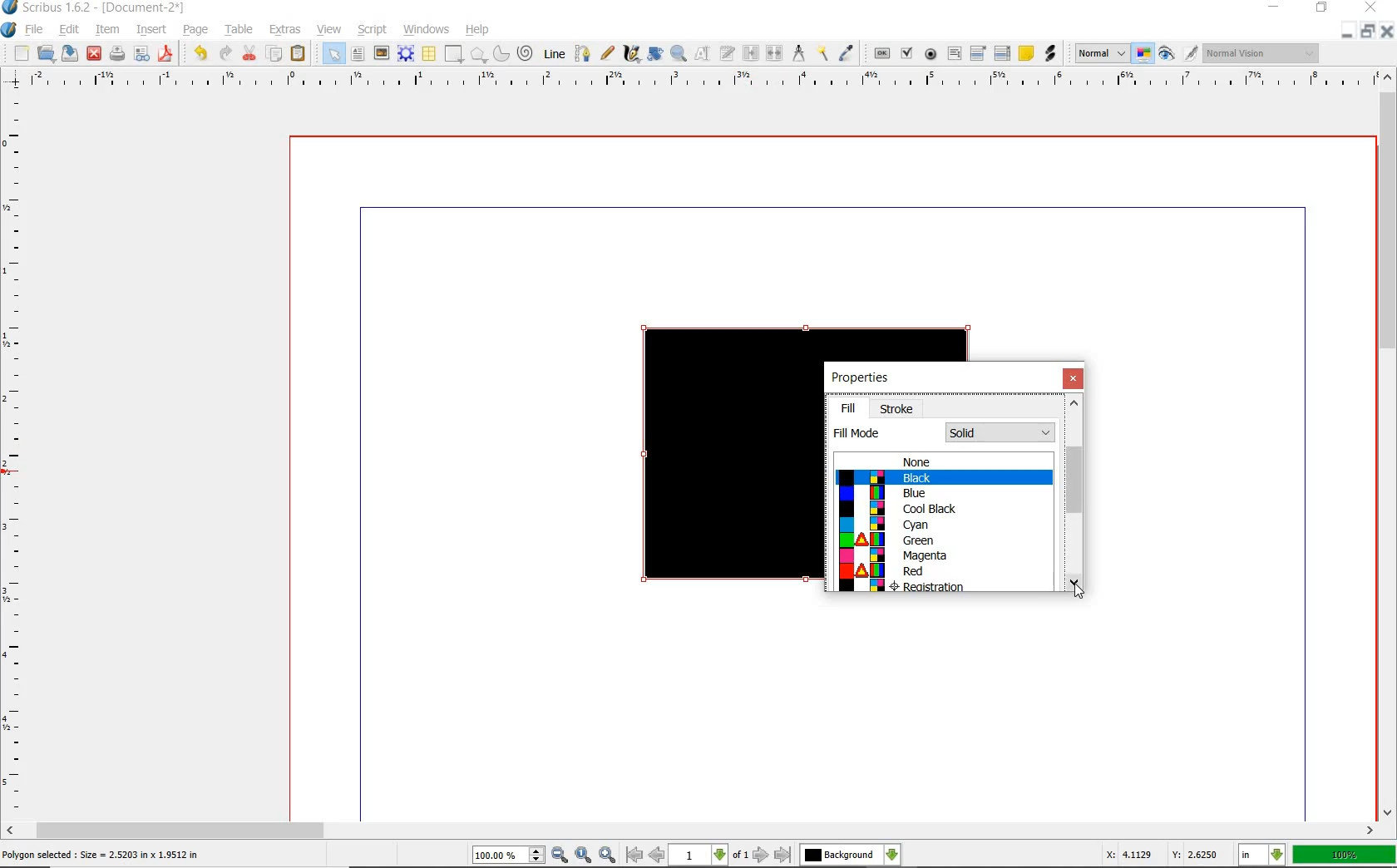  Describe the element at coordinates (508, 856) in the screenshot. I see `select current zoom level` at that location.